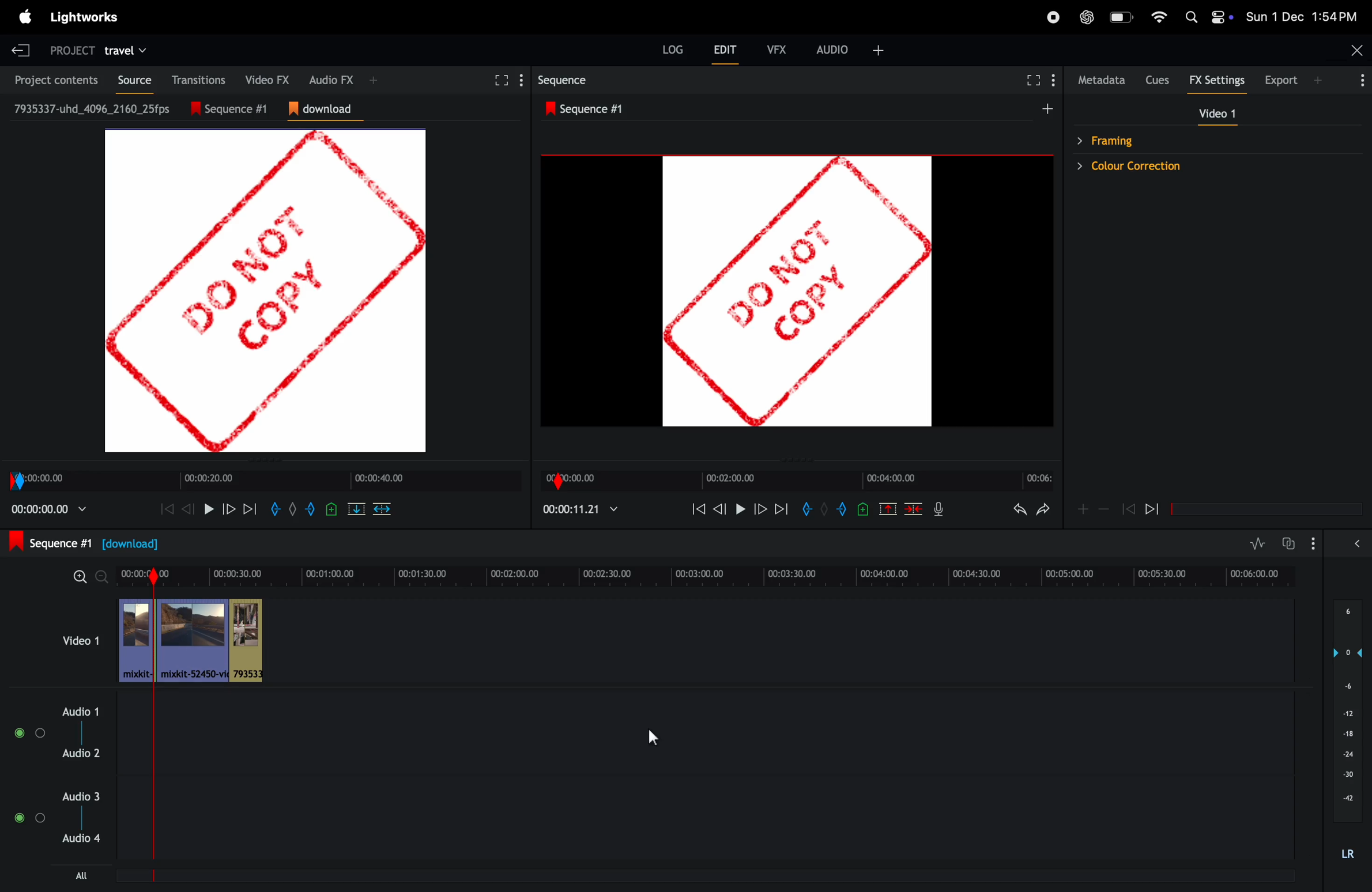 This screenshot has height=892, width=1372. What do you see at coordinates (1034, 80) in the screenshot?
I see `full screen` at bounding box center [1034, 80].